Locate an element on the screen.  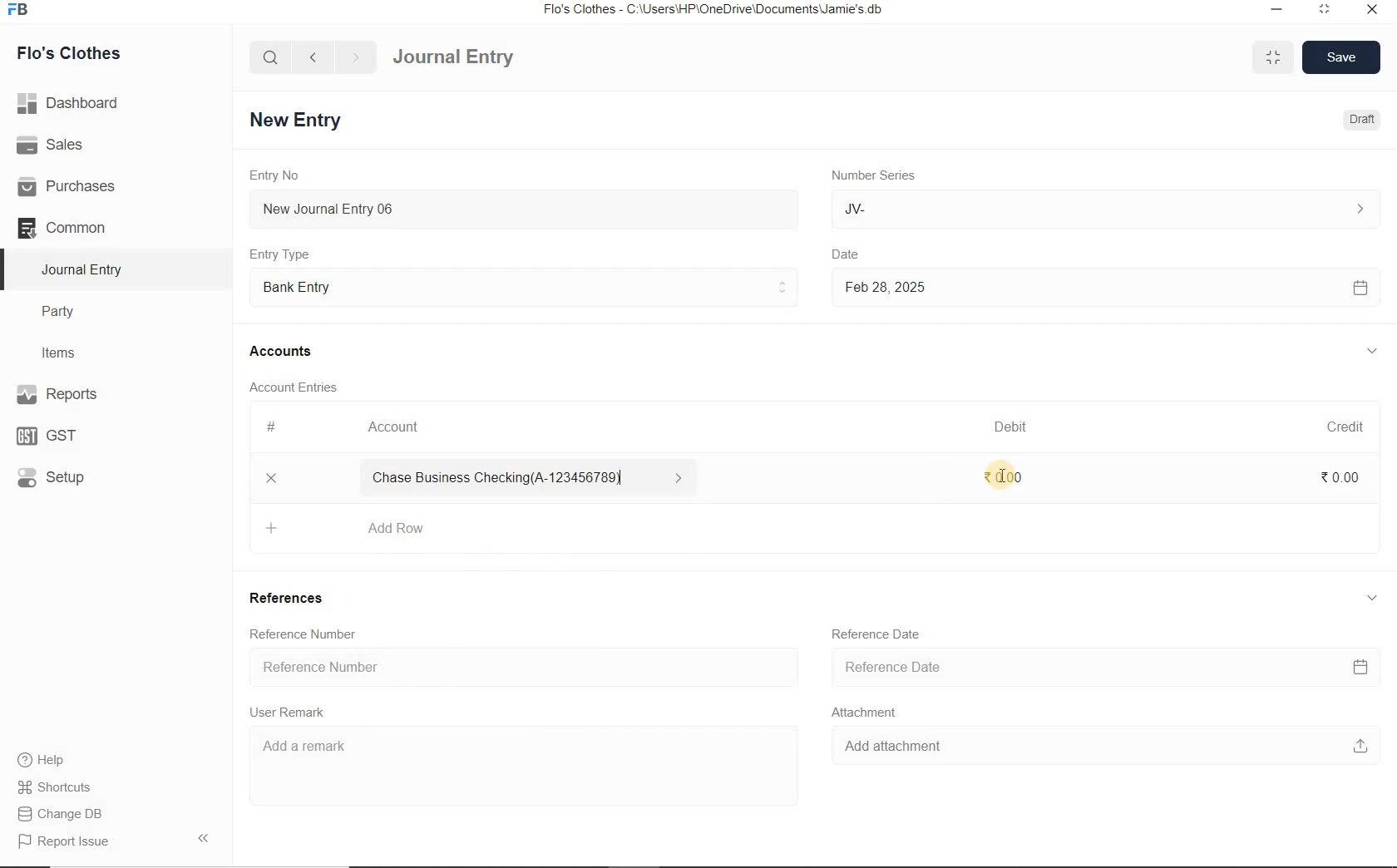
Draft is located at coordinates (1359, 120).